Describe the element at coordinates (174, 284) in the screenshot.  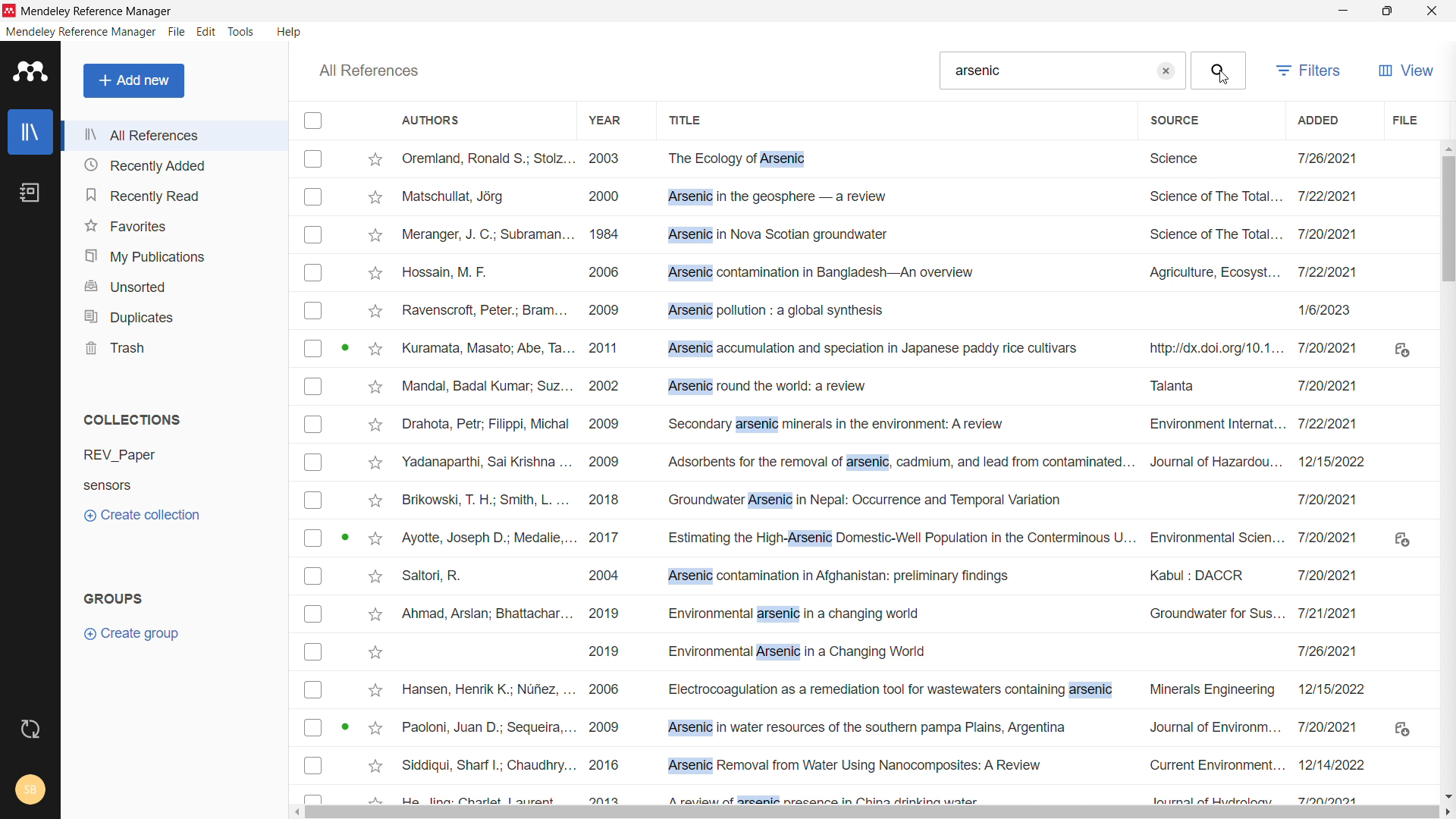
I see `unsorted` at that location.